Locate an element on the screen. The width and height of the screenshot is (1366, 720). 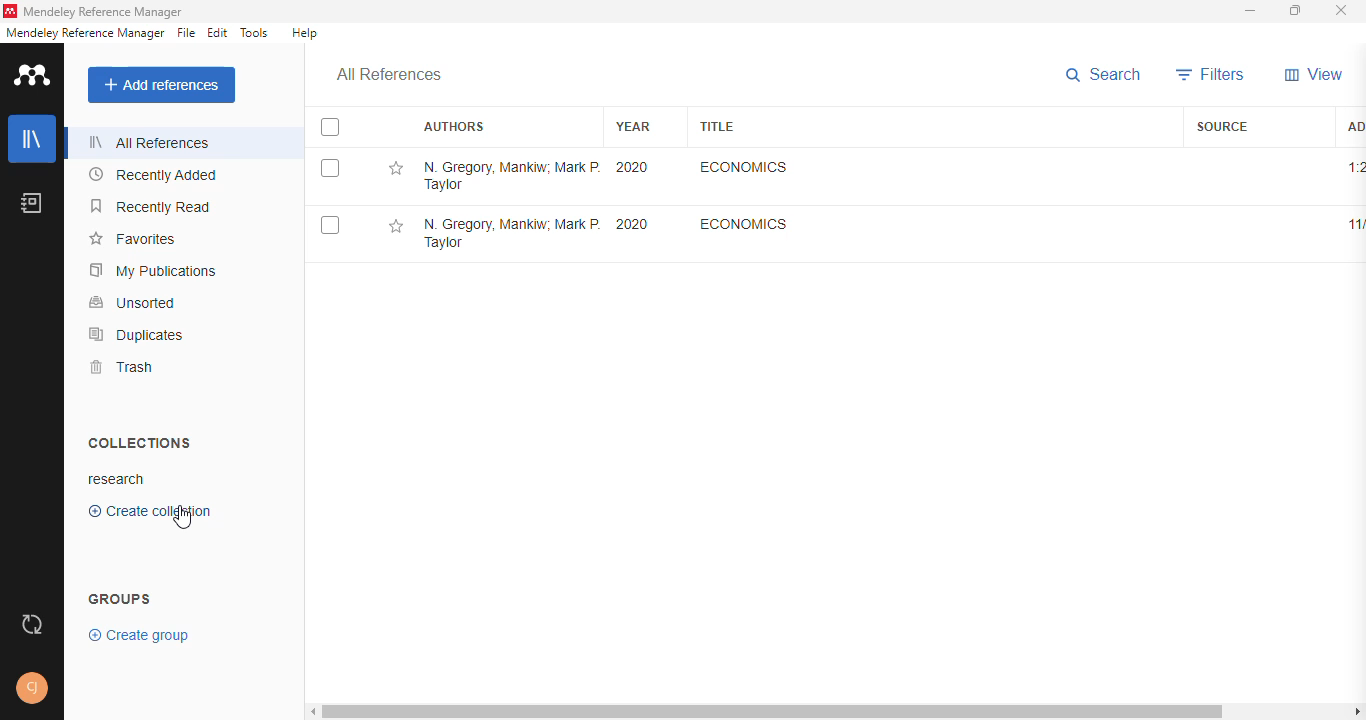
cursor is located at coordinates (183, 518).